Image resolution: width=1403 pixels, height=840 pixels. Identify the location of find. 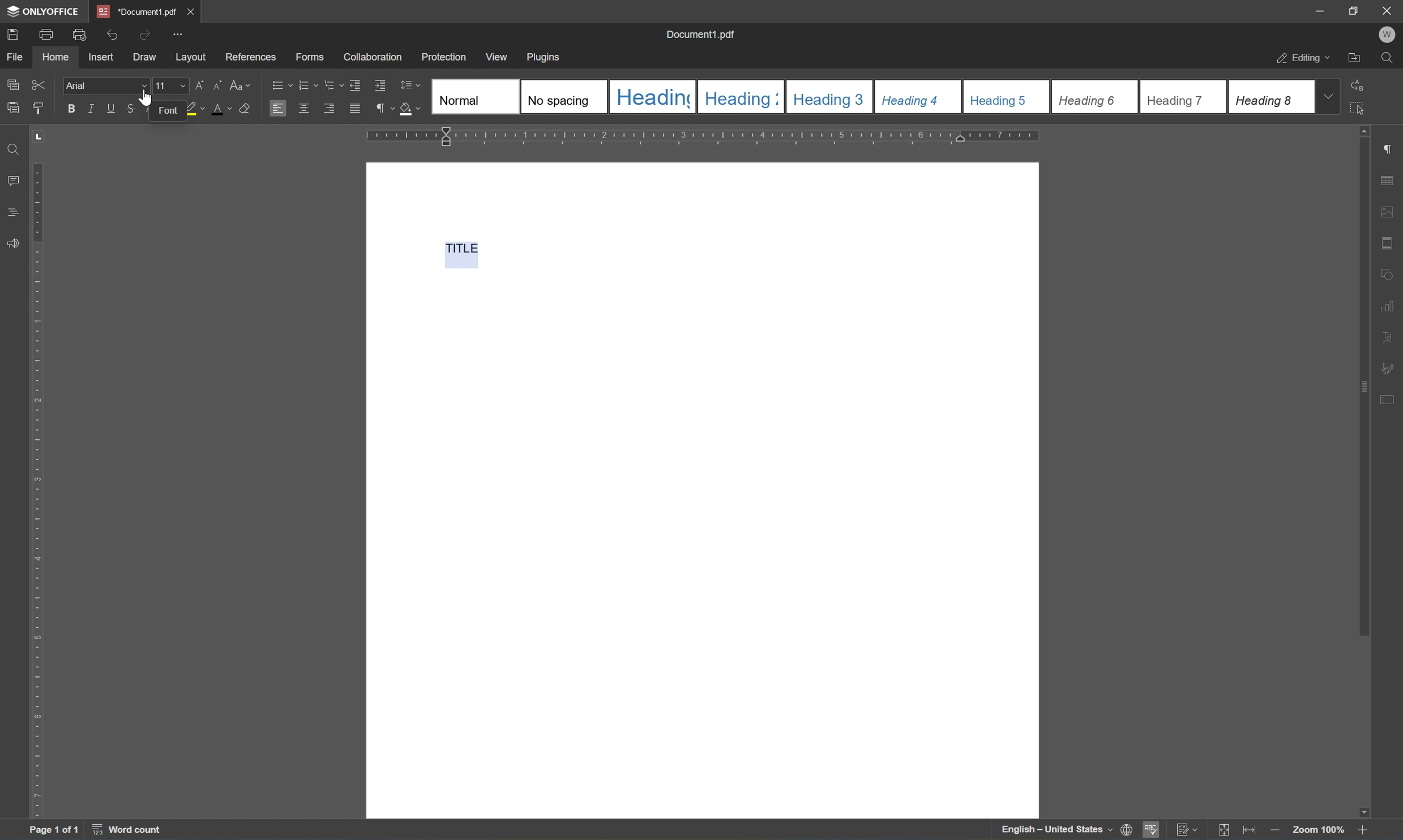
(16, 149).